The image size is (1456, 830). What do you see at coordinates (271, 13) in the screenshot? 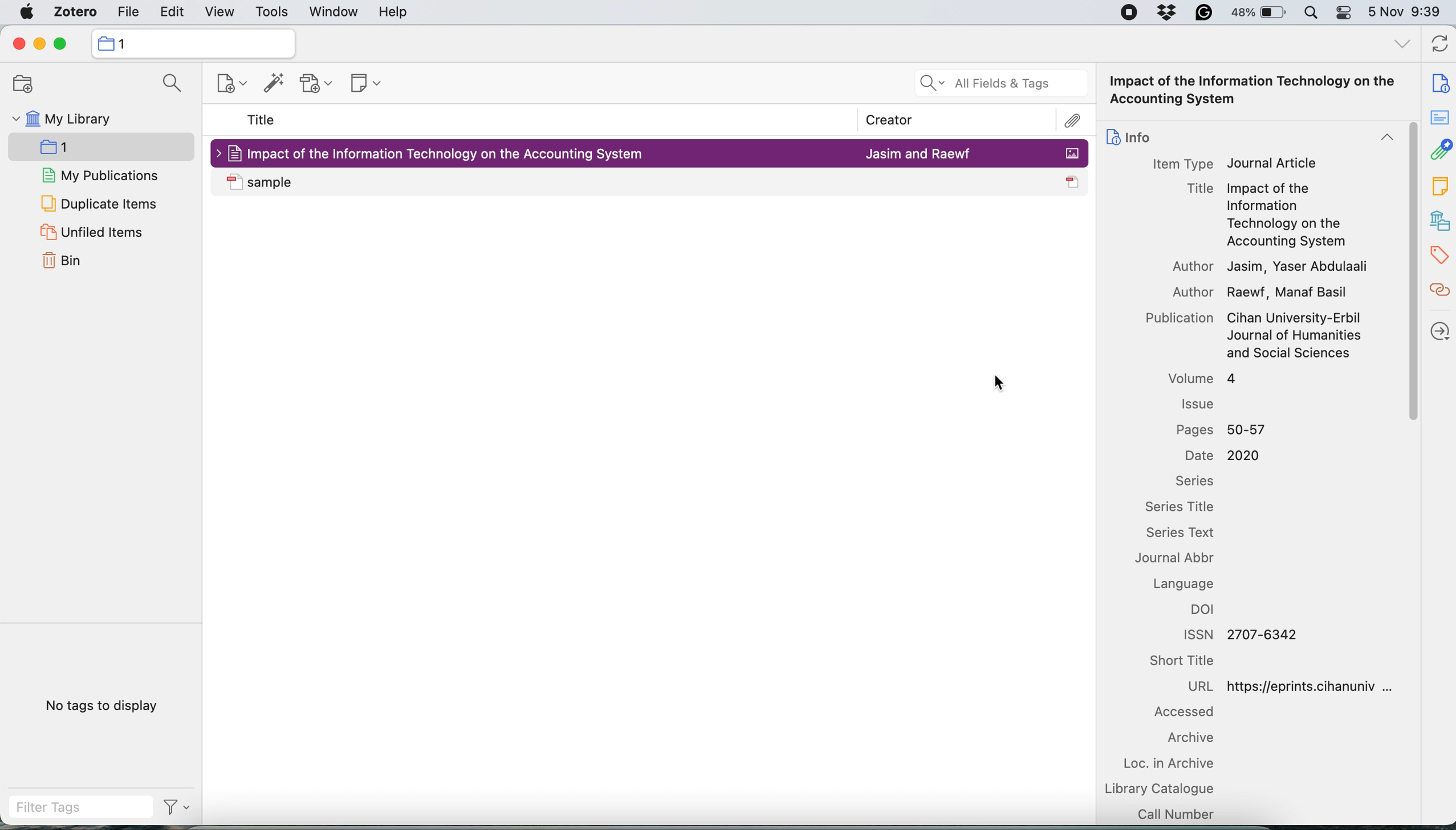
I see `tools` at bounding box center [271, 13].